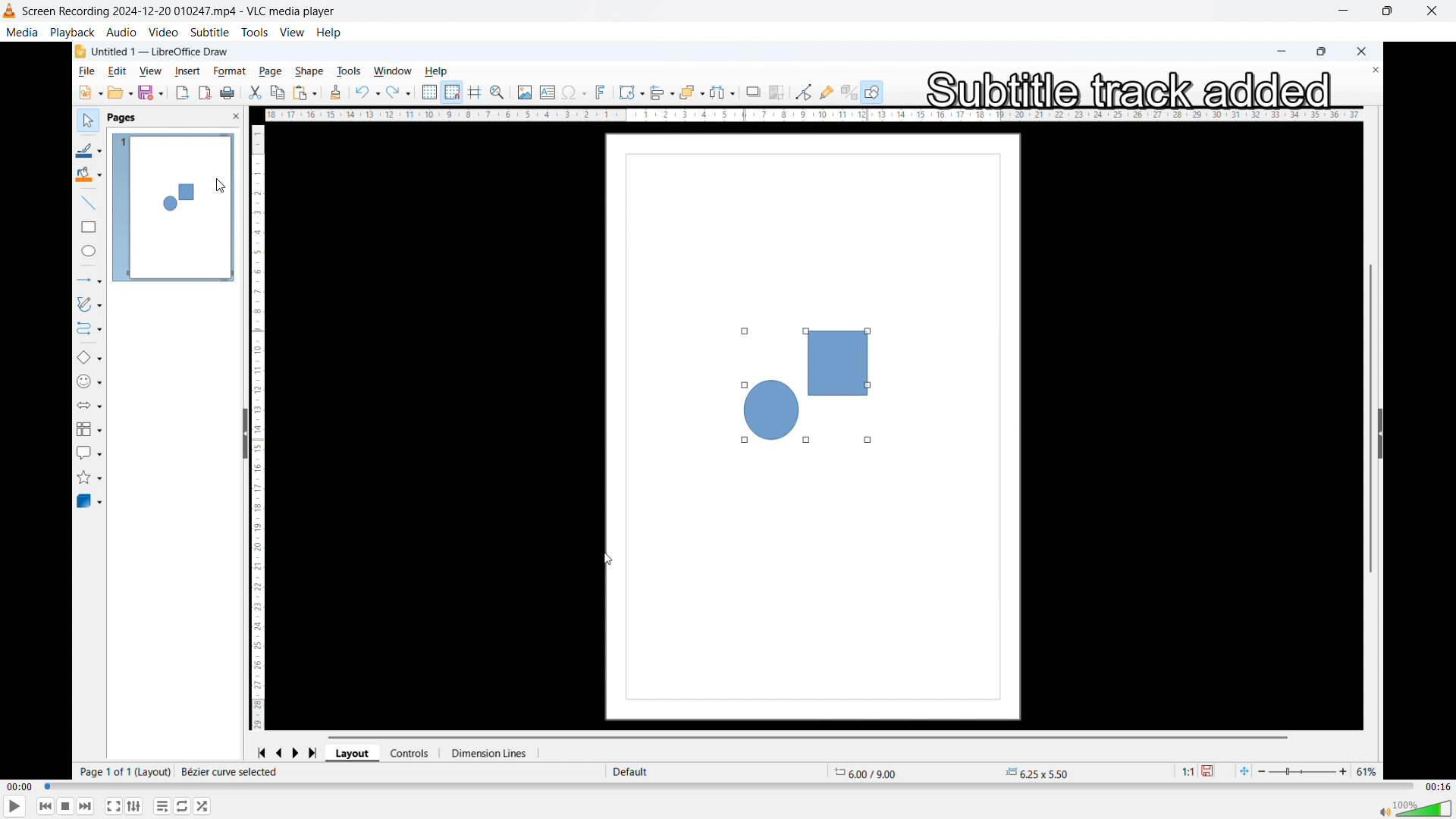 The width and height of the screenshot is (1456, 819). I want to click on close, so click(1361, 50).